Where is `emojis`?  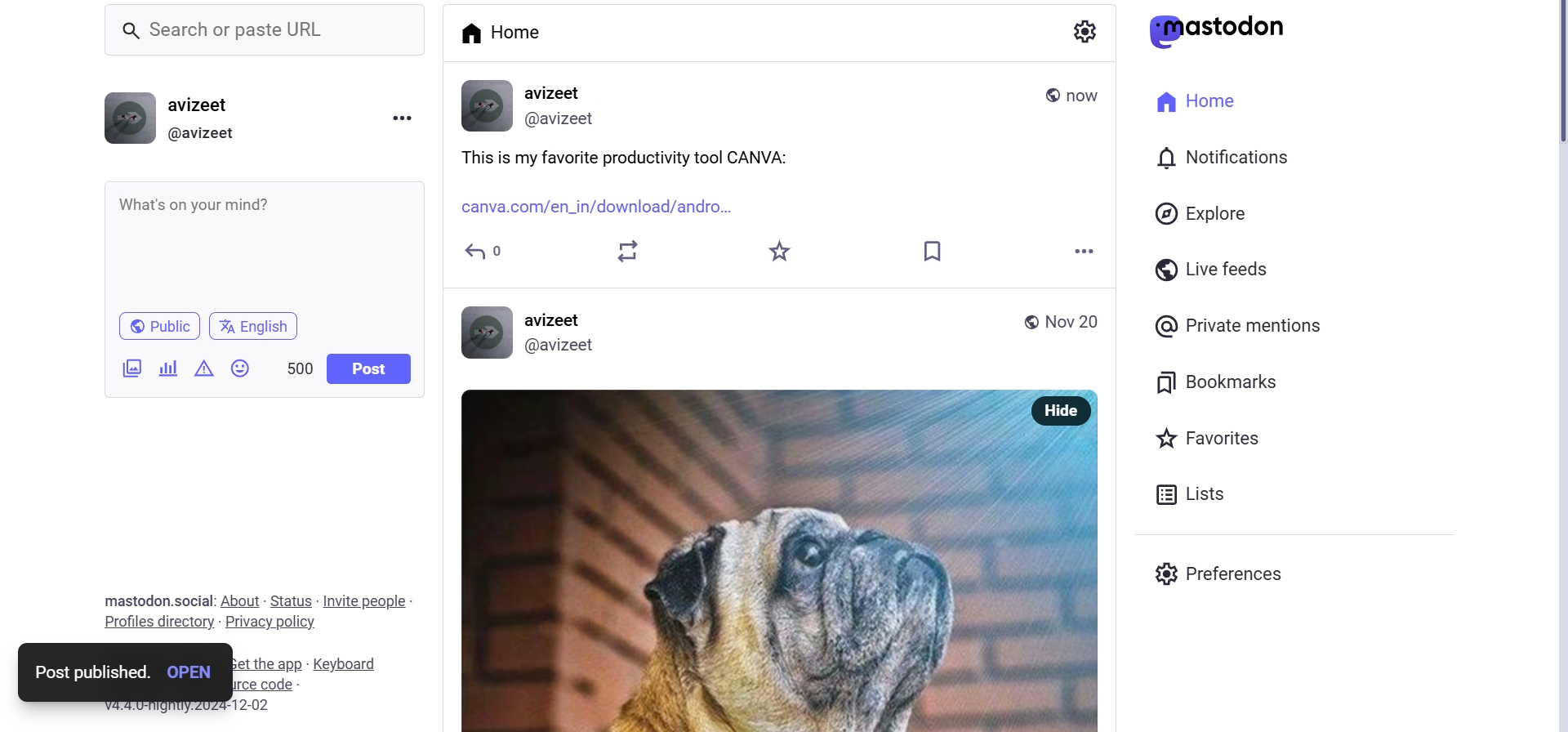 emojis is located at coordinates (244, 368).